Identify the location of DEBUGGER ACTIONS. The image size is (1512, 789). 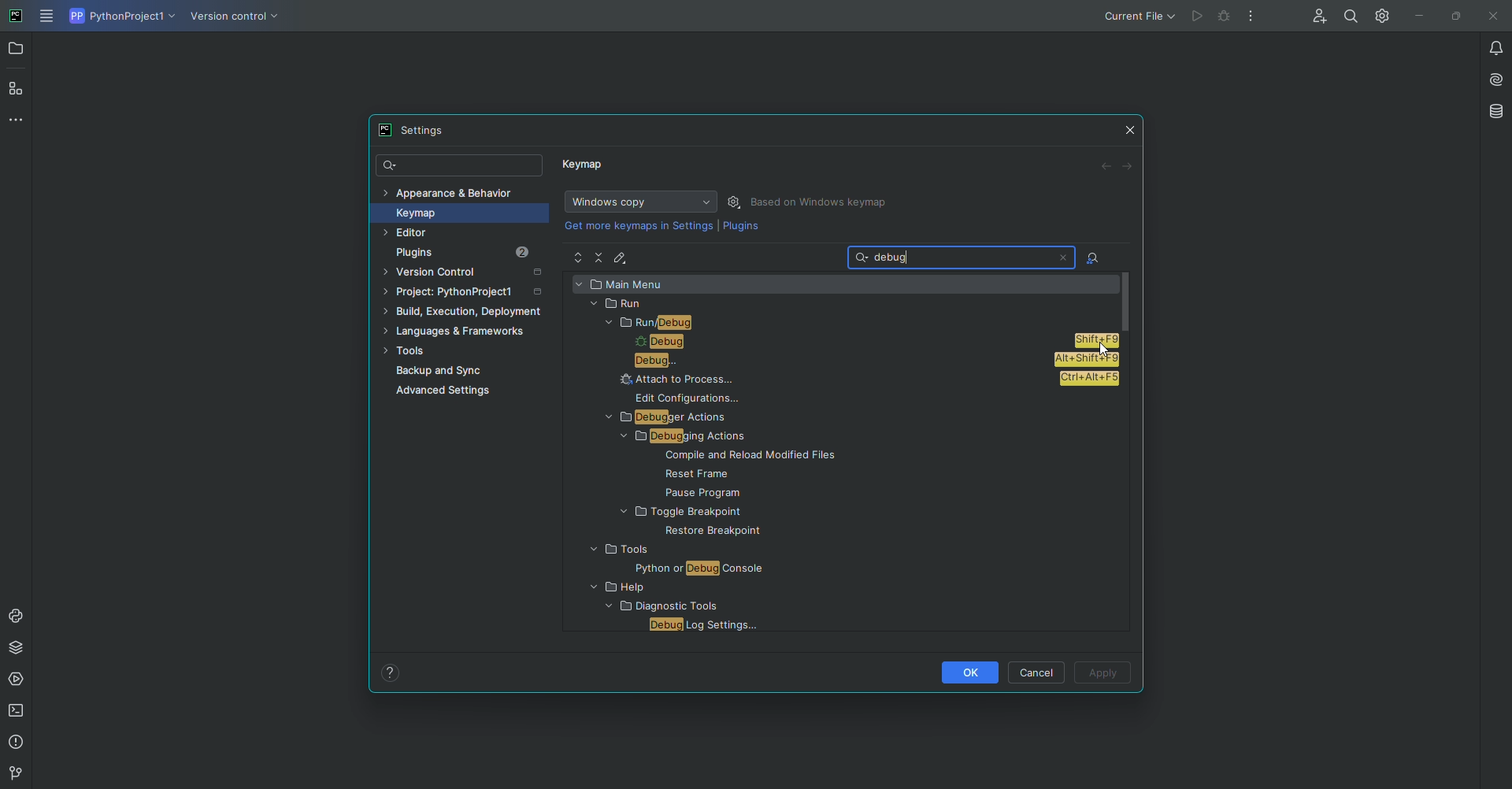
(687, 417).